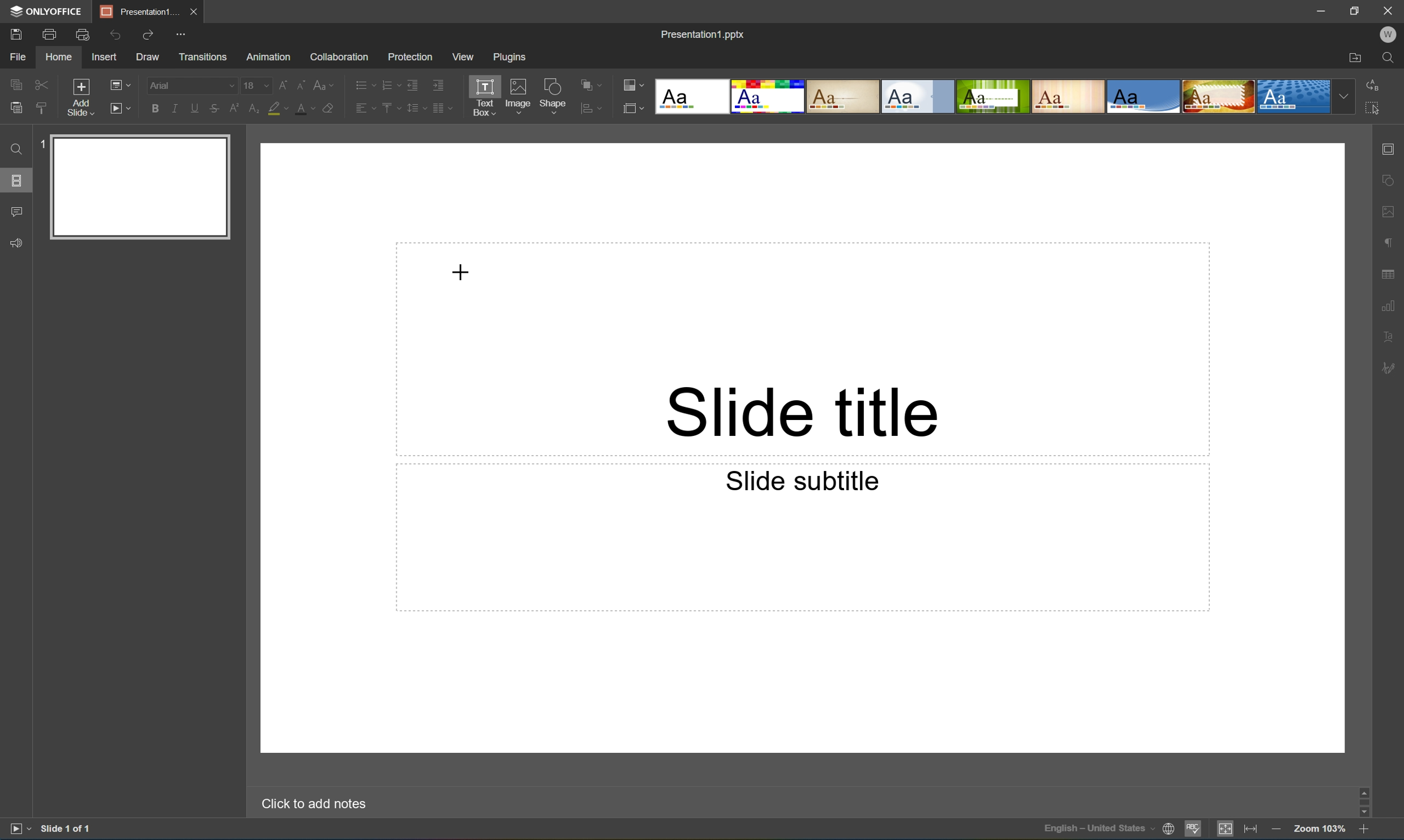 The height and width of the screenshot is (840, 1404). Describe the element at coordinates (40, 84) in the screenshot. I see `Cut` at that location.